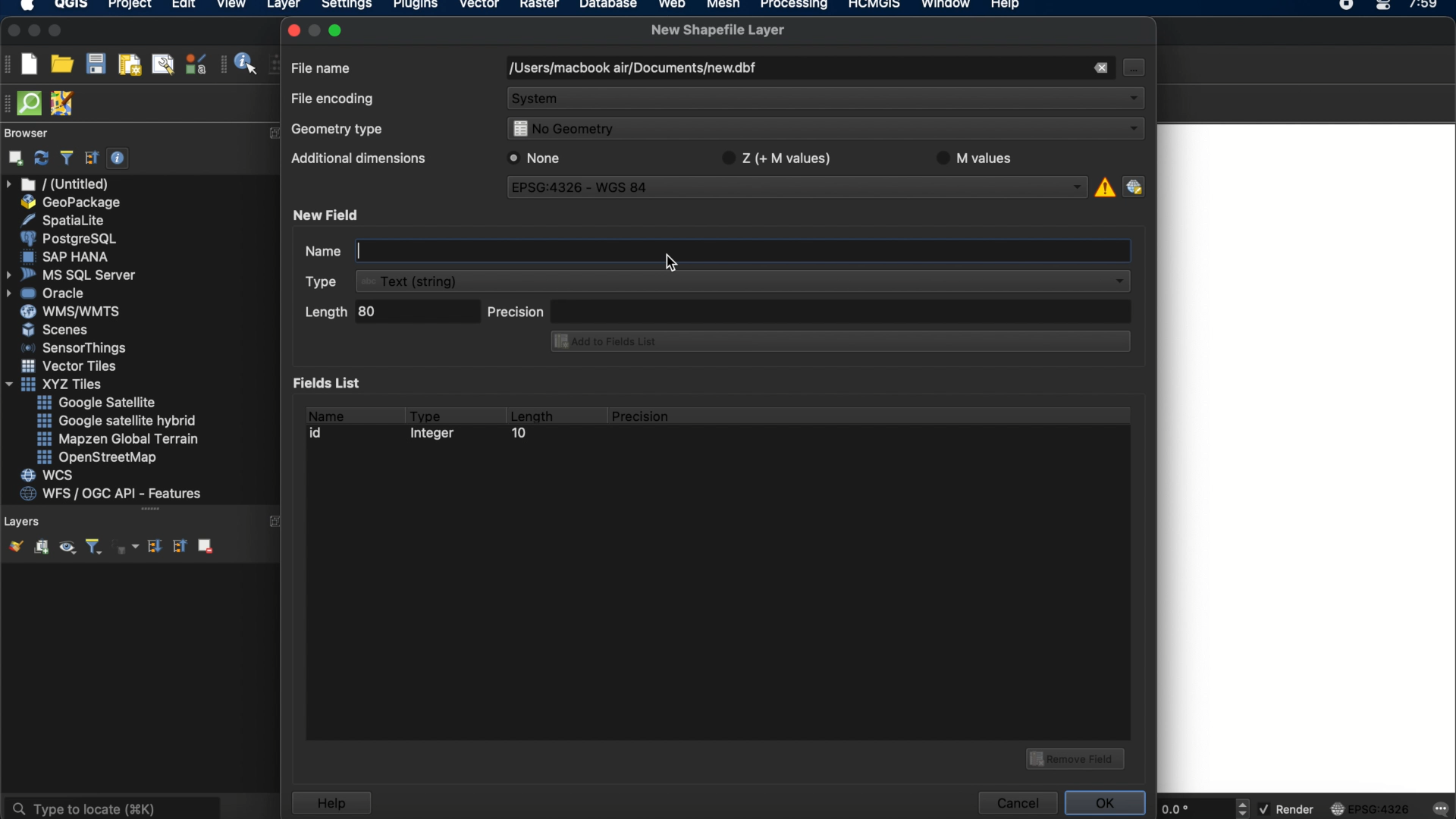  Describe the element at coordinates (949, 6) in the screenshot. I see `window` at that location.